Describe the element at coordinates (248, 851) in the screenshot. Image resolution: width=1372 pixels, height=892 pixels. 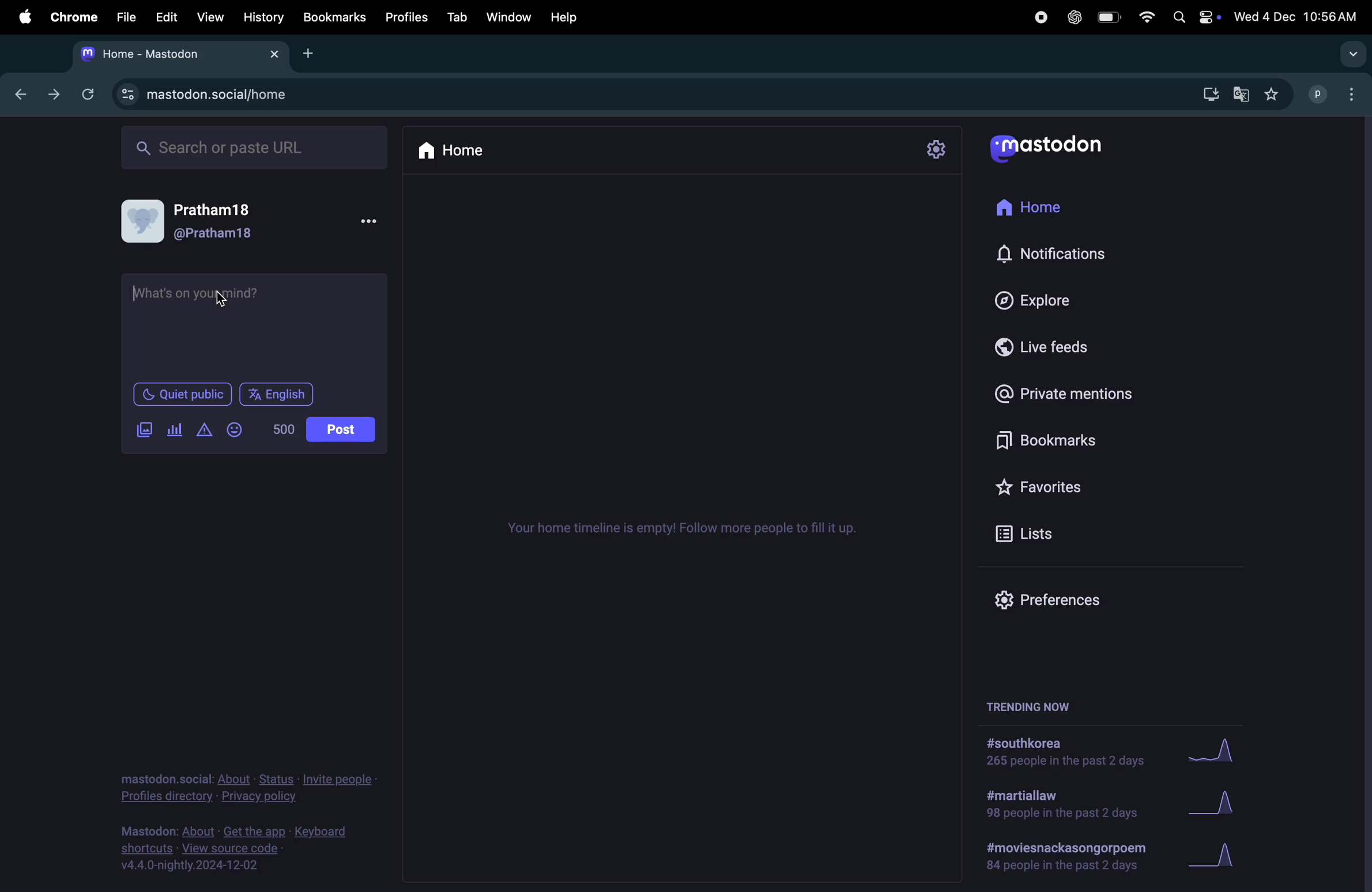
I see `view source code` at that location.